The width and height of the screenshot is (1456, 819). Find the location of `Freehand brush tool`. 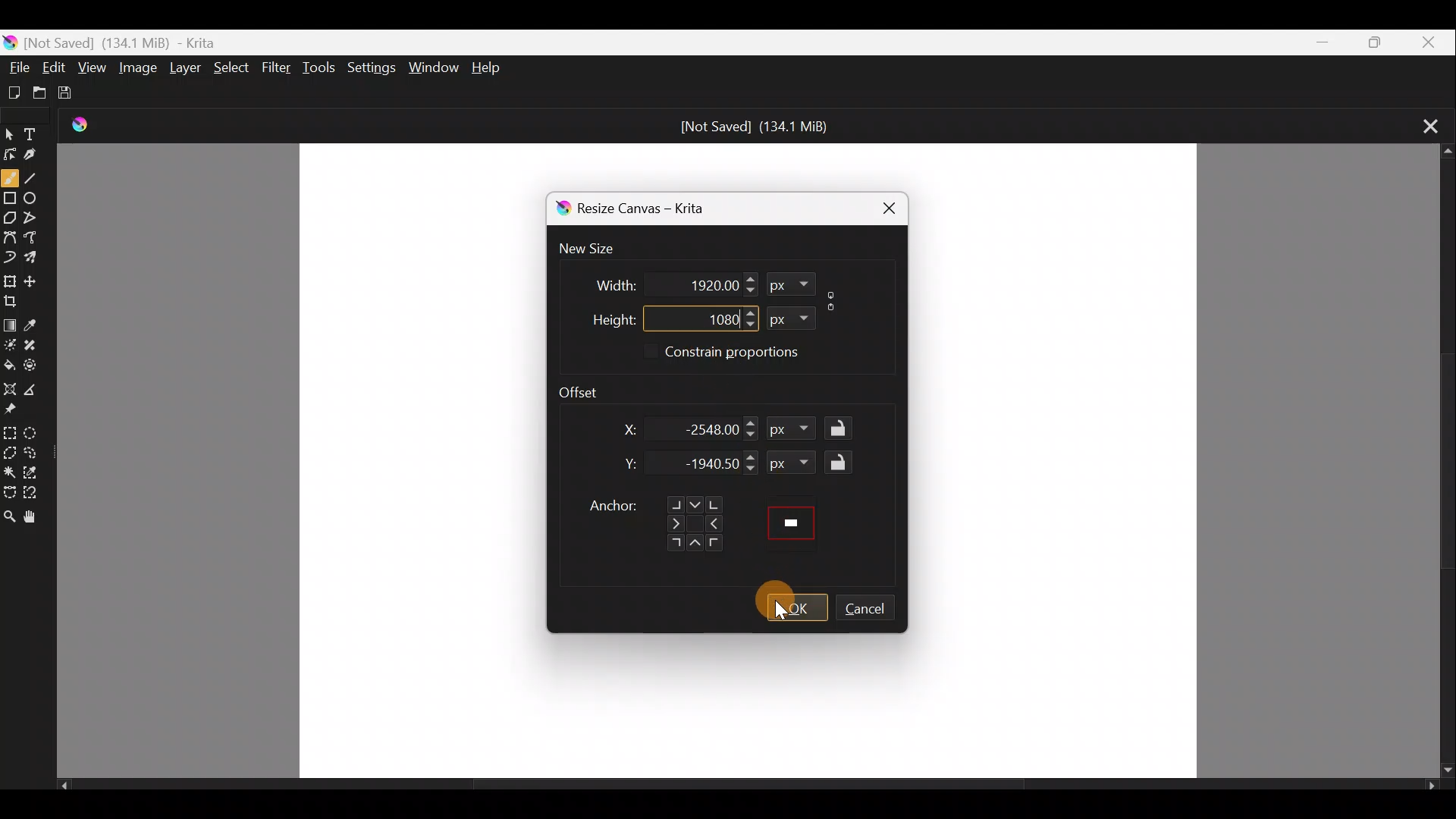

Freehand brush tool is located at coordinates (10, 177).